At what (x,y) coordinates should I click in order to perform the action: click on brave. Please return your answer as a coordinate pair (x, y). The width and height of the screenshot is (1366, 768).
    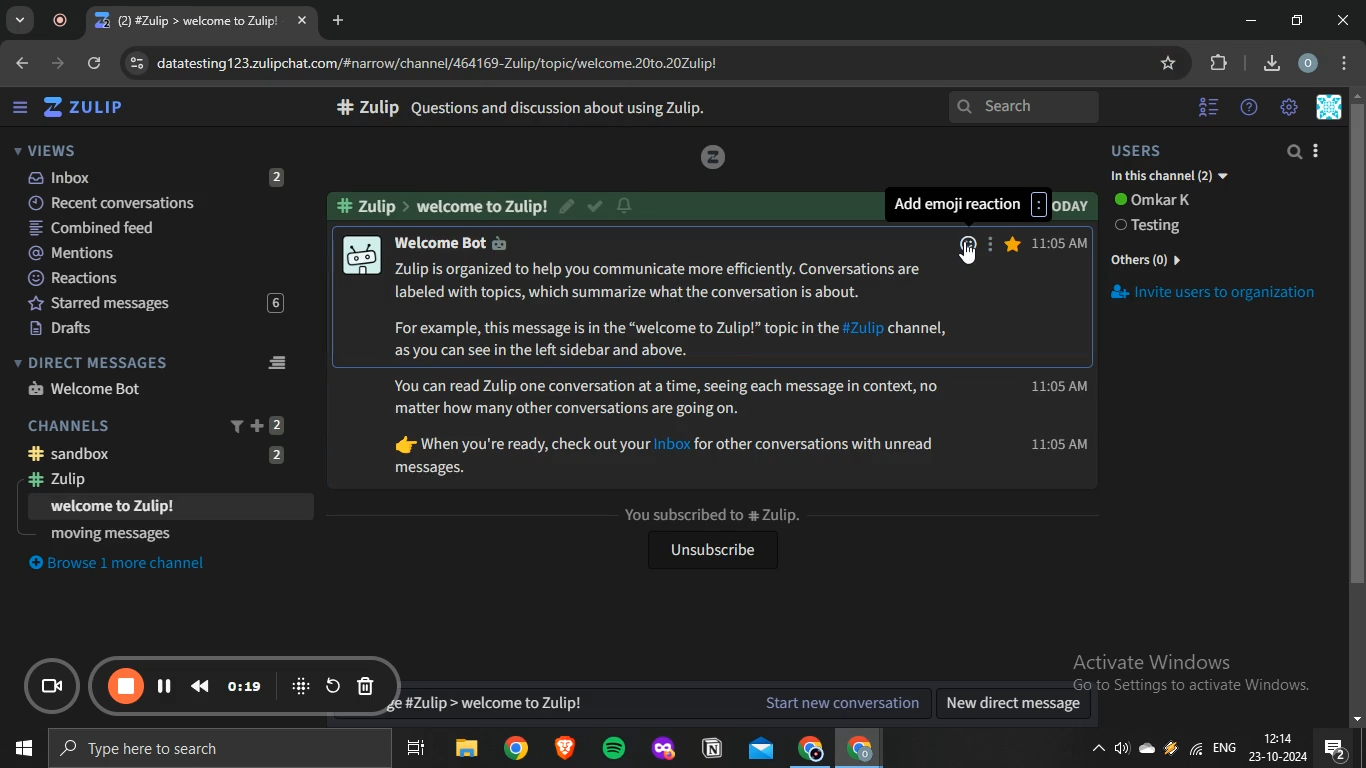
    Looking at the image, I should click on (563, 750).